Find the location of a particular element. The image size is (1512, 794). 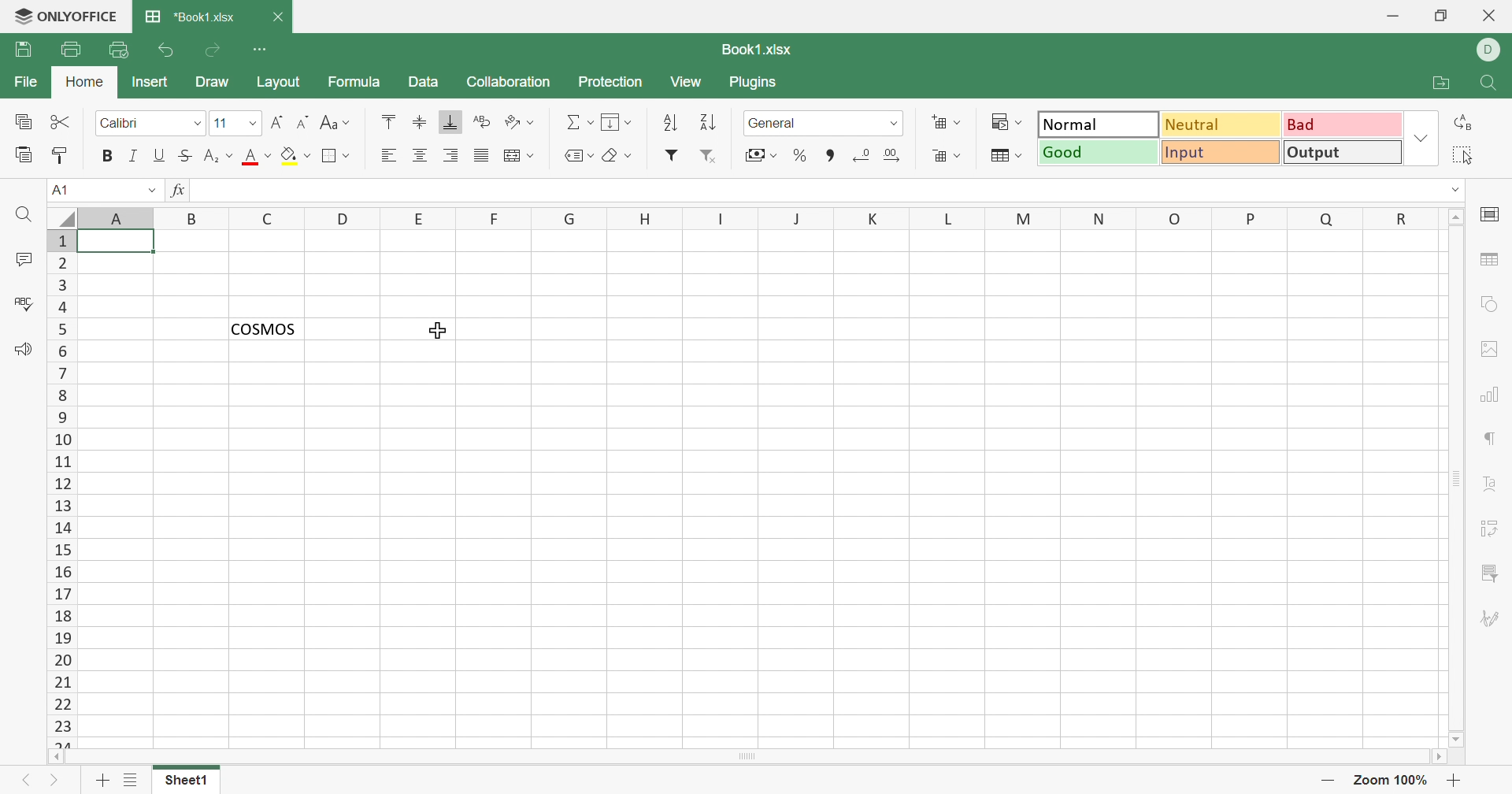

Draw is located at coordinates (213, 83).